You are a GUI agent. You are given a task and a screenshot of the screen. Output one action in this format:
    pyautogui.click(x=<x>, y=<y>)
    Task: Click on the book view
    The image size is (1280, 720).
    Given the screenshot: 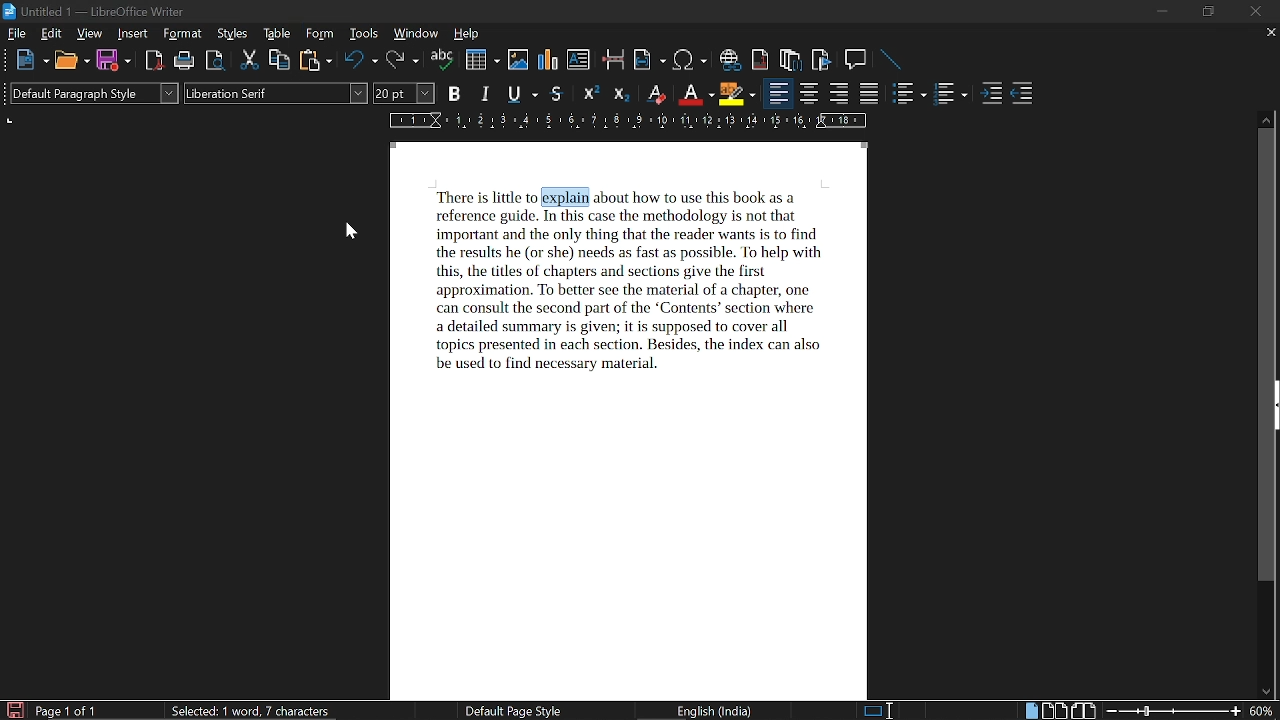 What is the action you would take?
    pyautogui.click(x=1083, y=711)
    